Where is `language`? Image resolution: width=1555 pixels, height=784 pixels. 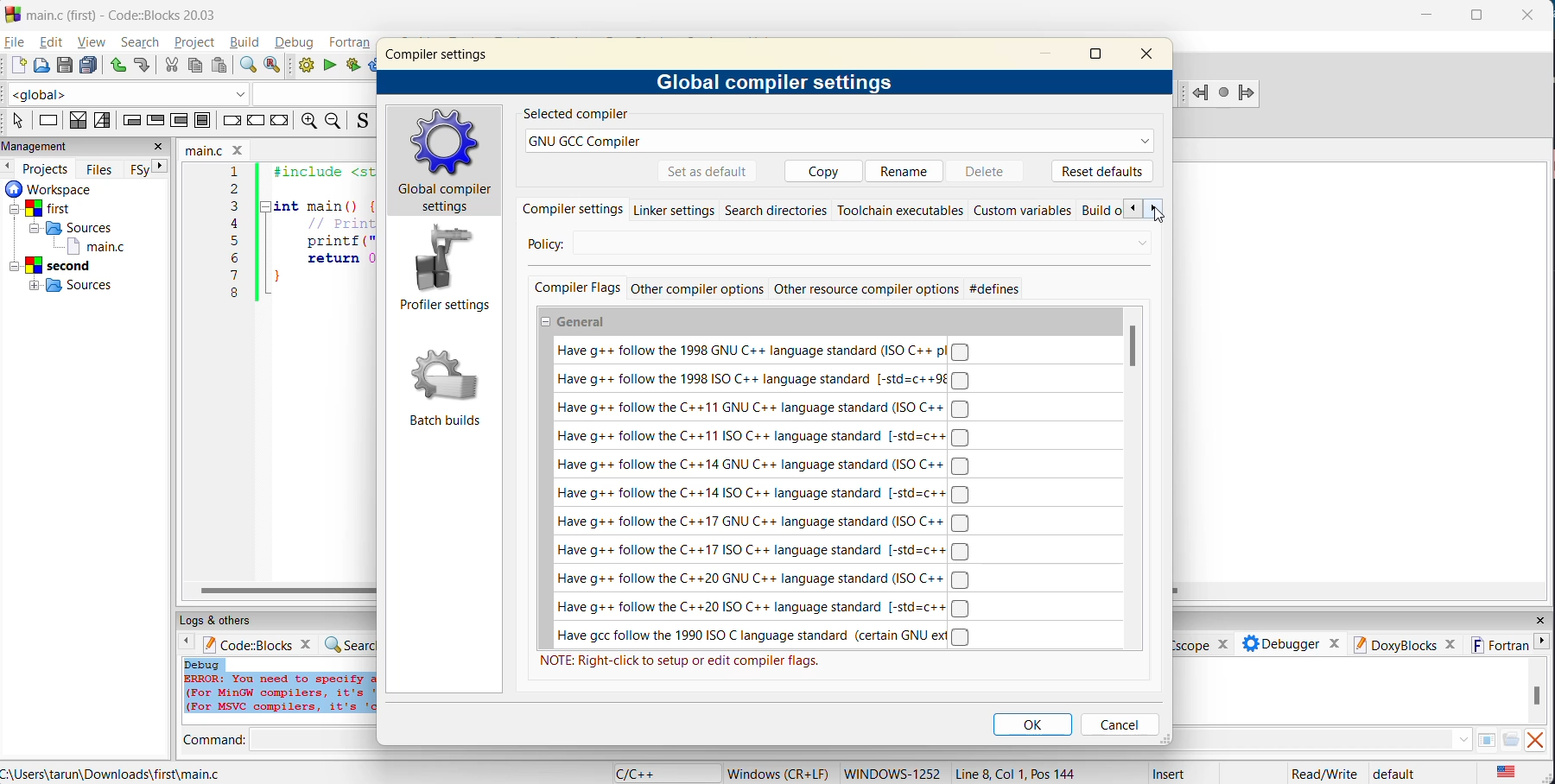
language is located at coordinates (637, 774).